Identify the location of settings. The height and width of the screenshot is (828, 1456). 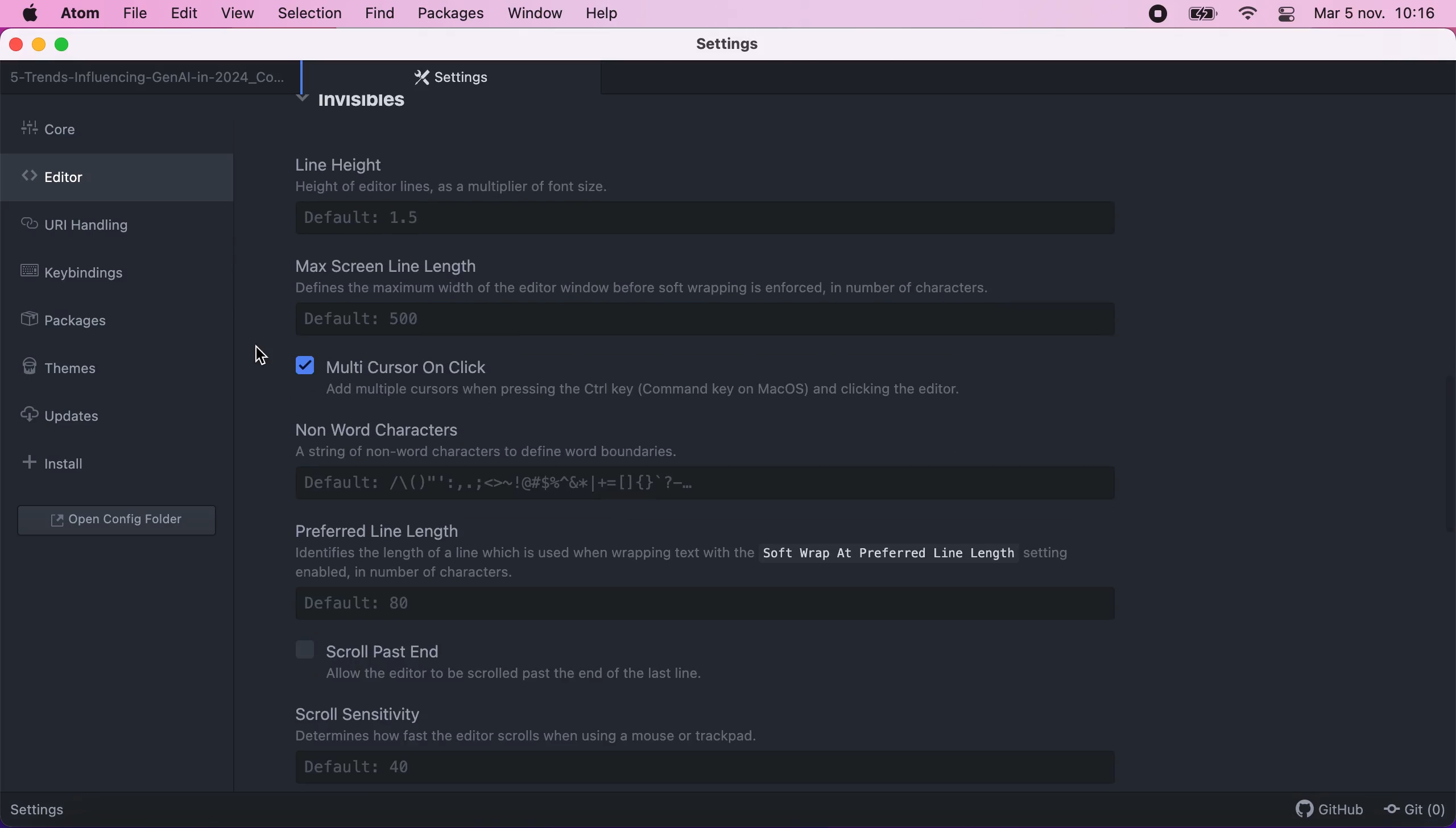
(744, 45).